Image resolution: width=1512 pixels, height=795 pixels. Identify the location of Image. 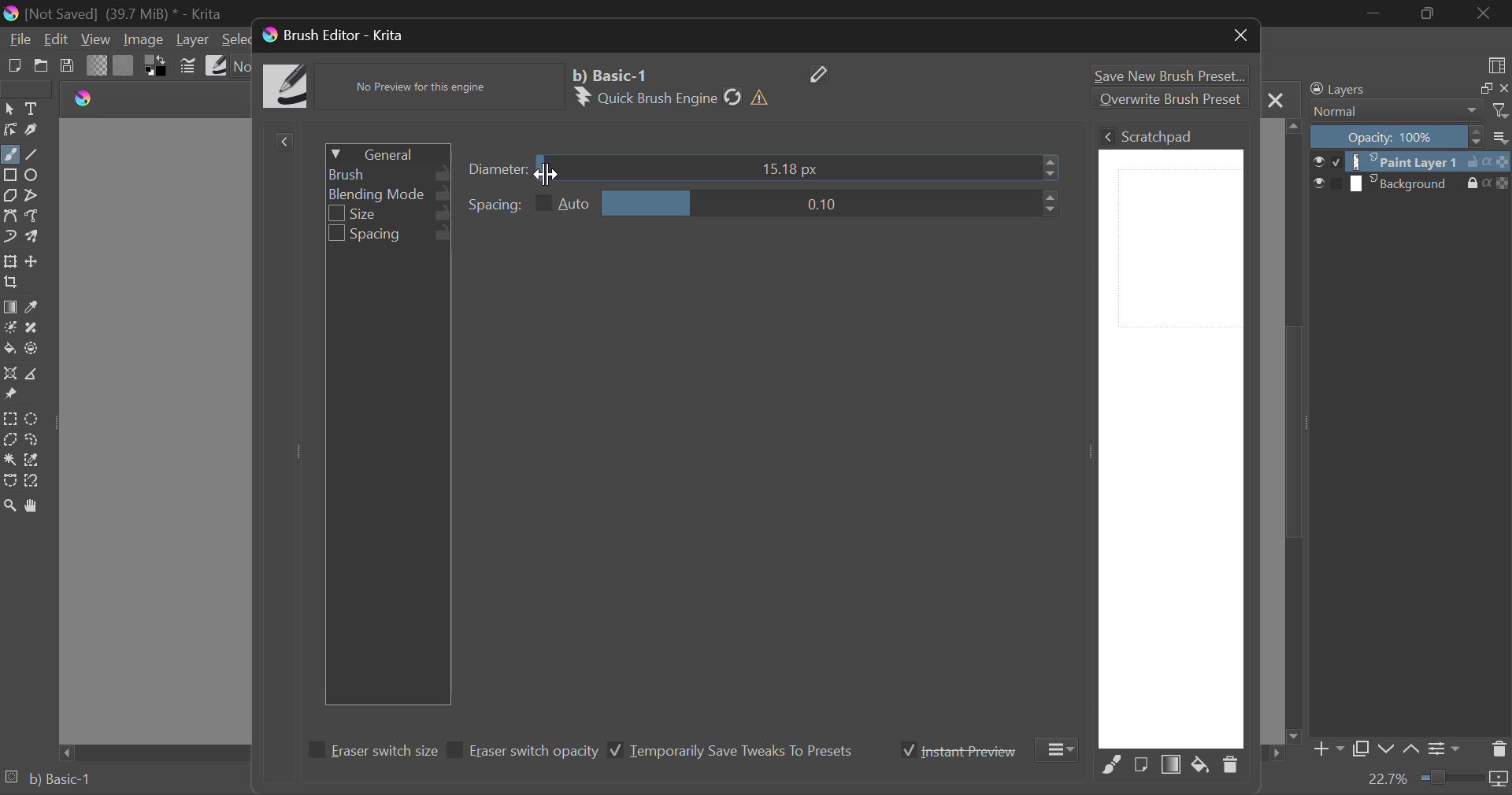
(145, 40).